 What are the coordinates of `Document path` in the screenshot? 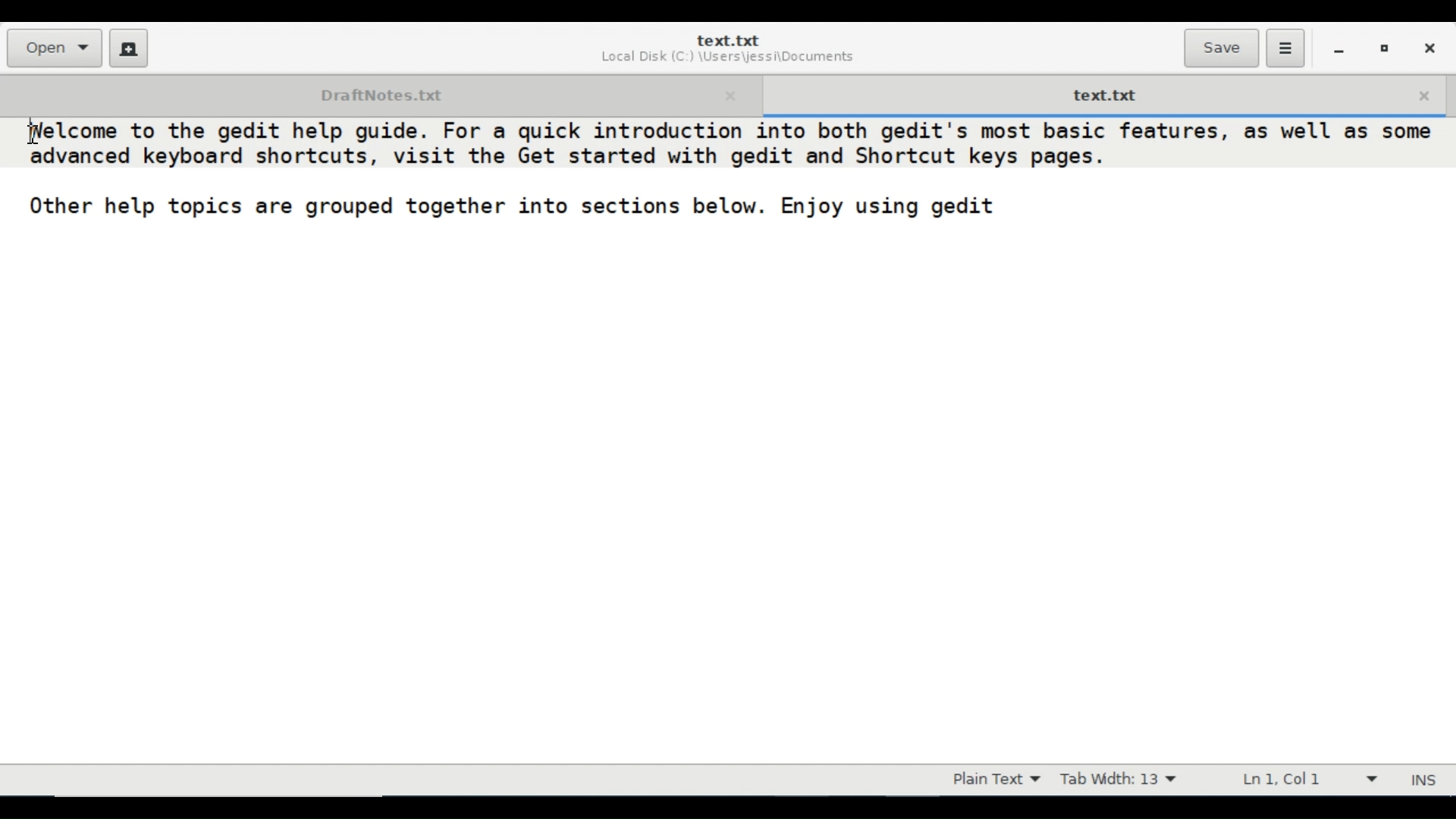 It's located at (726, 59).